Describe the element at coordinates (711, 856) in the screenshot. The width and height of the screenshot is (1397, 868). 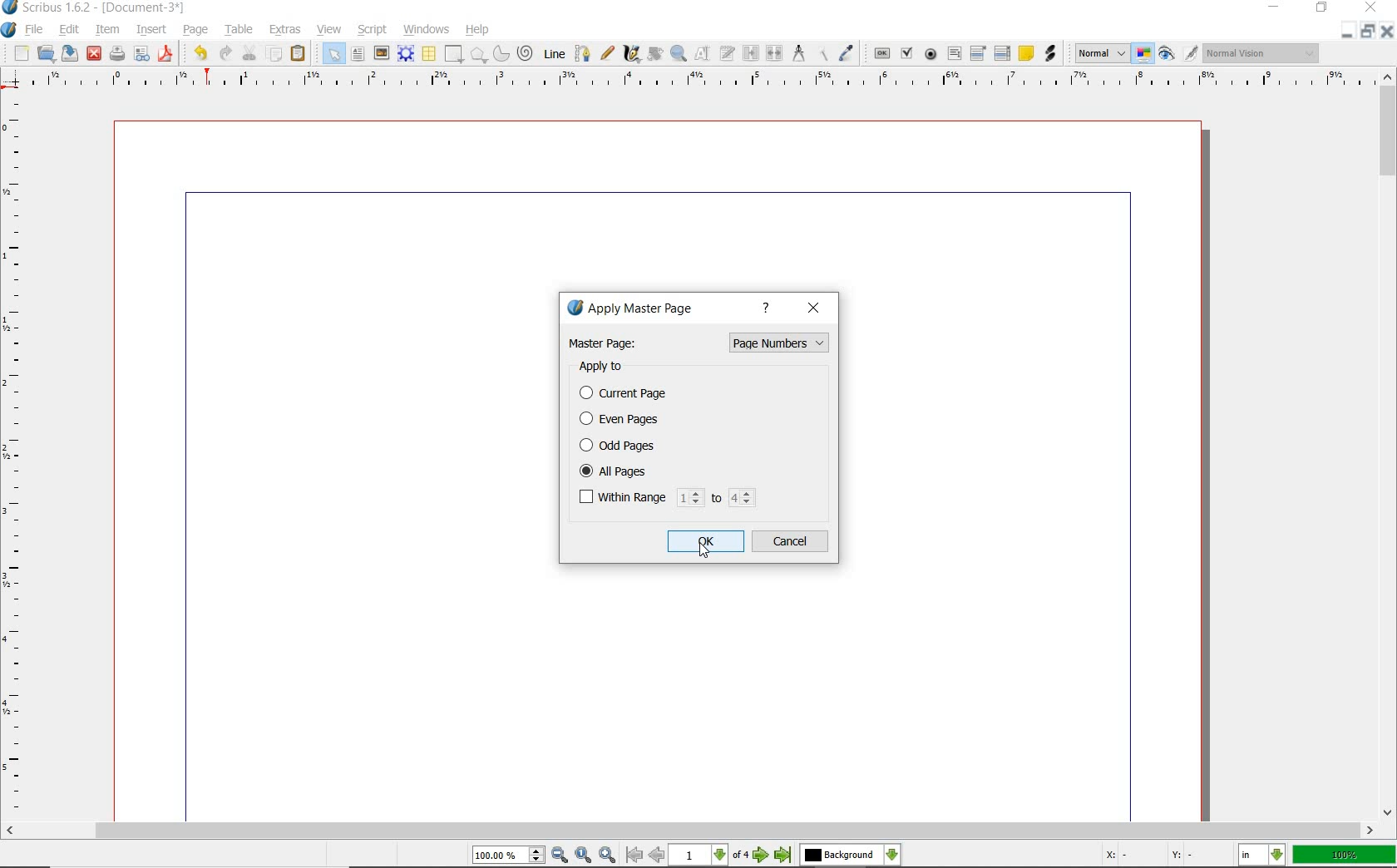
I see `1 of 4` at that location.